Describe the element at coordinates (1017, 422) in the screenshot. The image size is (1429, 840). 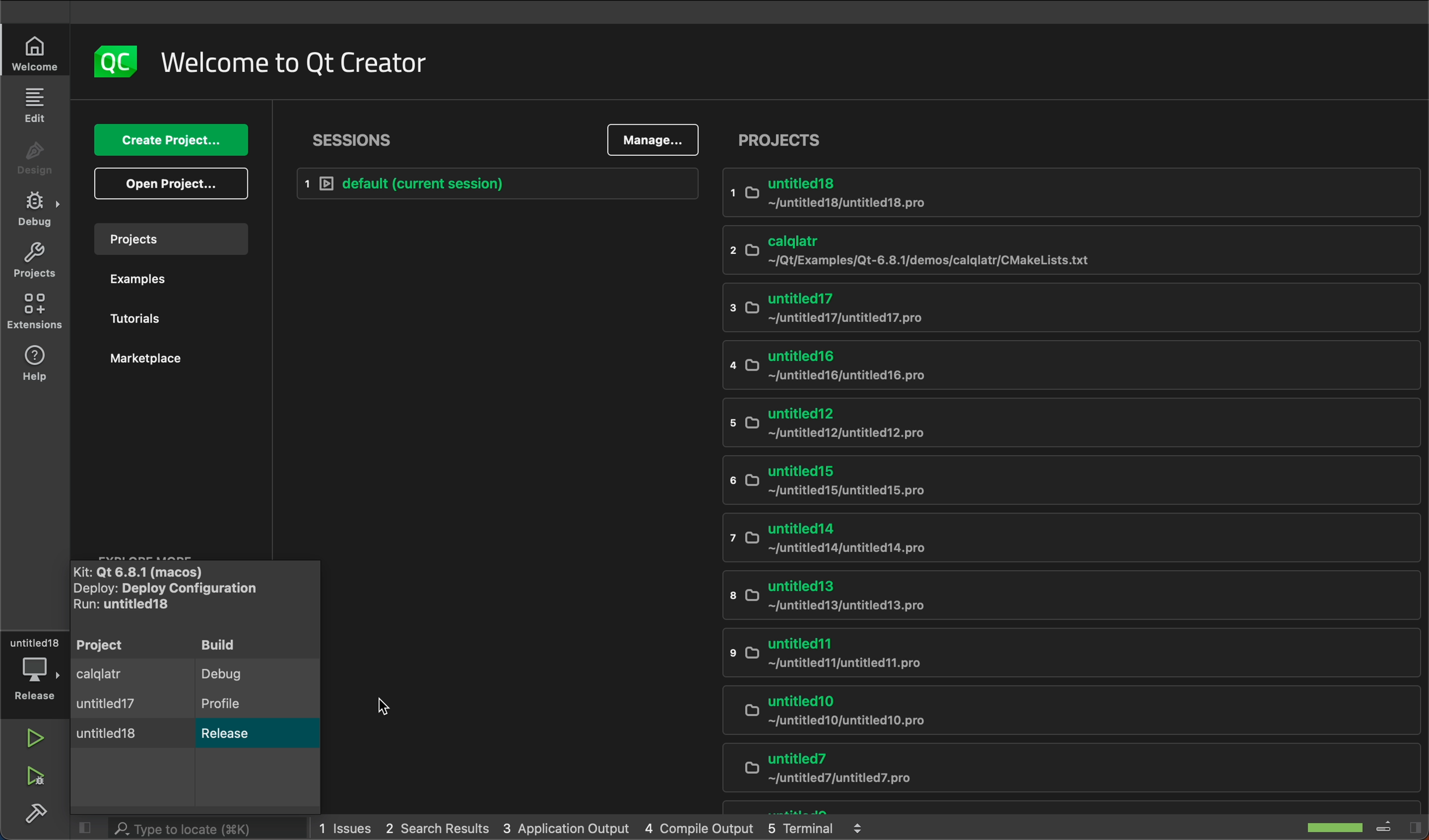
I see `untitled12` at that location.